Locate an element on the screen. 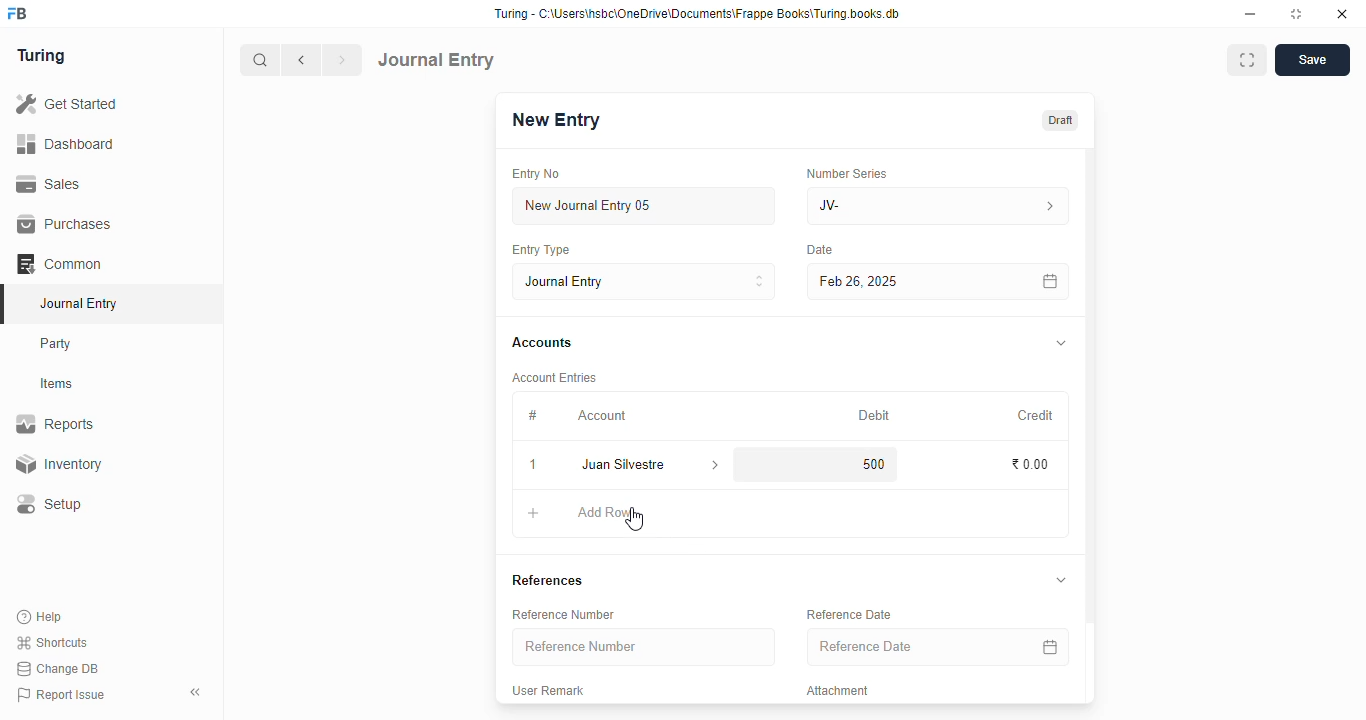 This screenshot has width=1366, height=720. minimize is located at coordinates (1251, 14).